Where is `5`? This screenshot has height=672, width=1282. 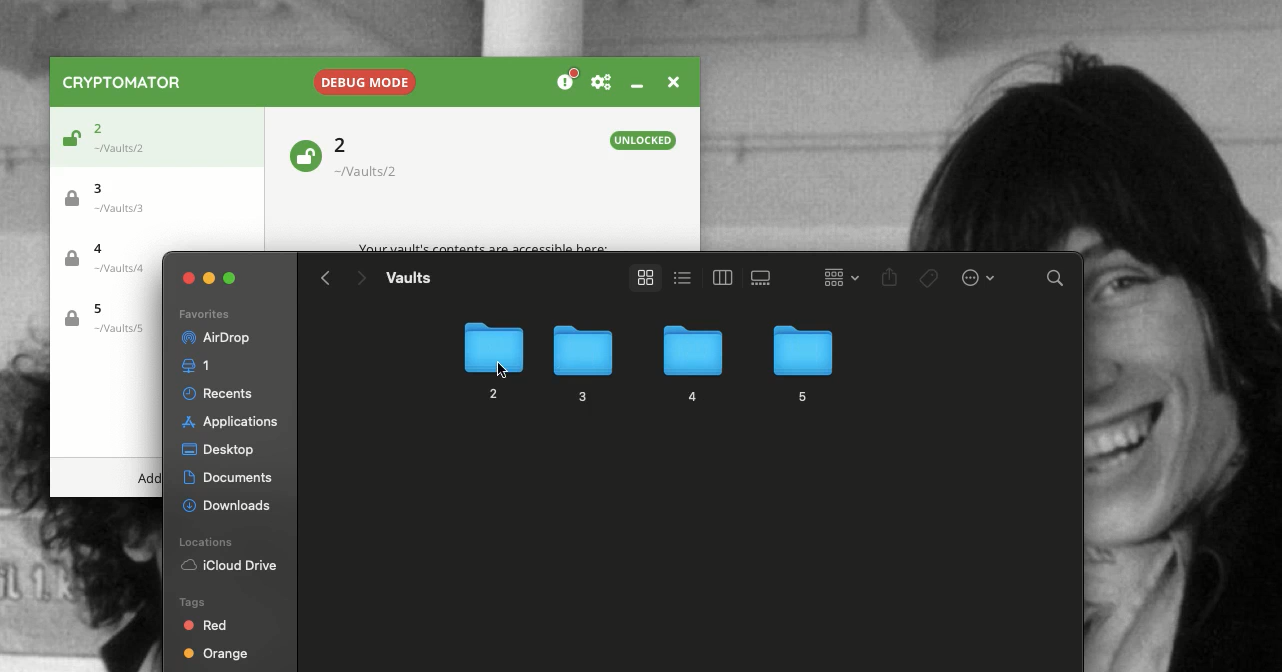
5 is located at coordinates (801, 361).